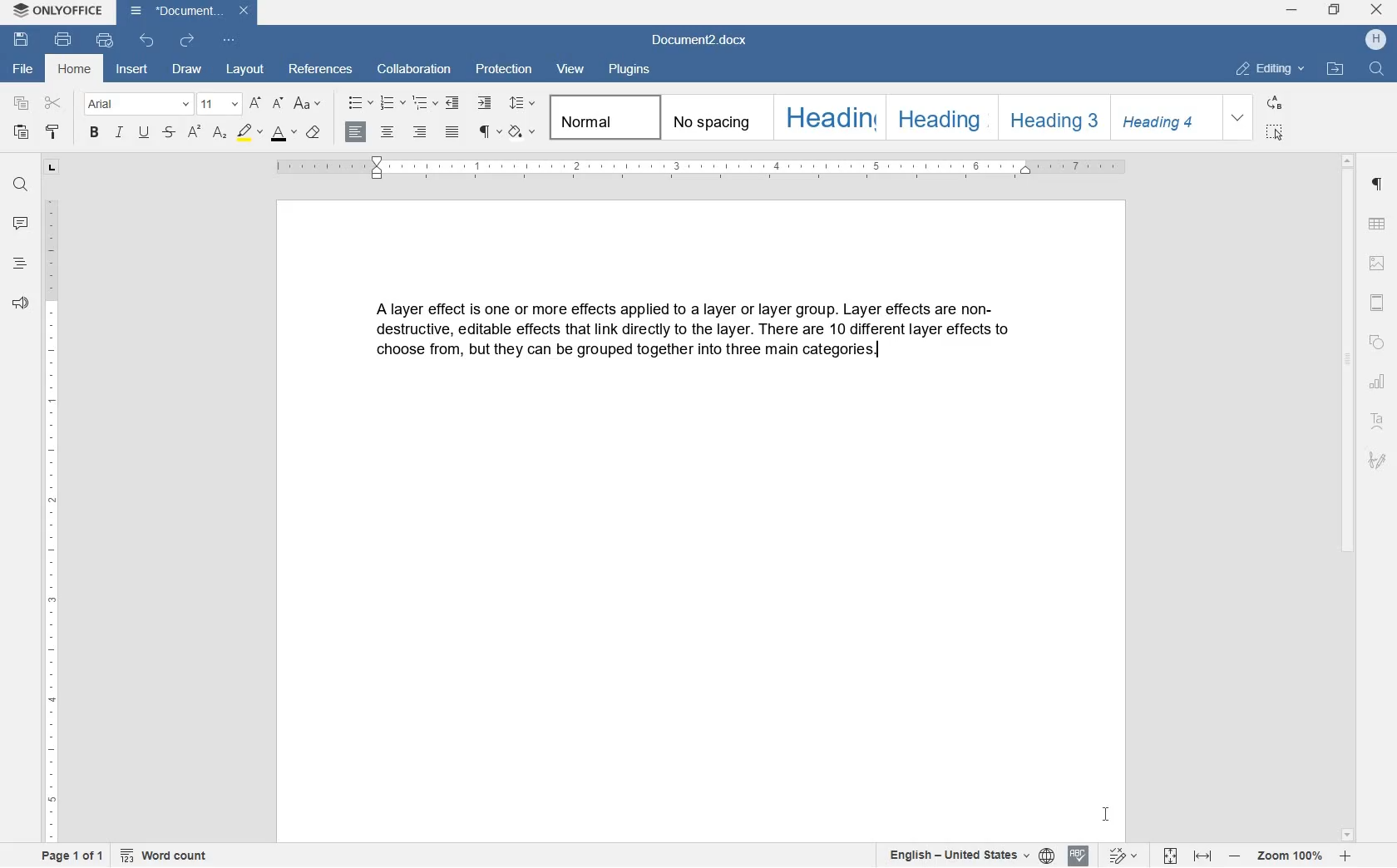 The width and height of the screenshot is (1397, 868). What do you see at coordinates (1293, 11) in the screenshot?
I see `MINIMIZE` at bounding box center [1293, 11].